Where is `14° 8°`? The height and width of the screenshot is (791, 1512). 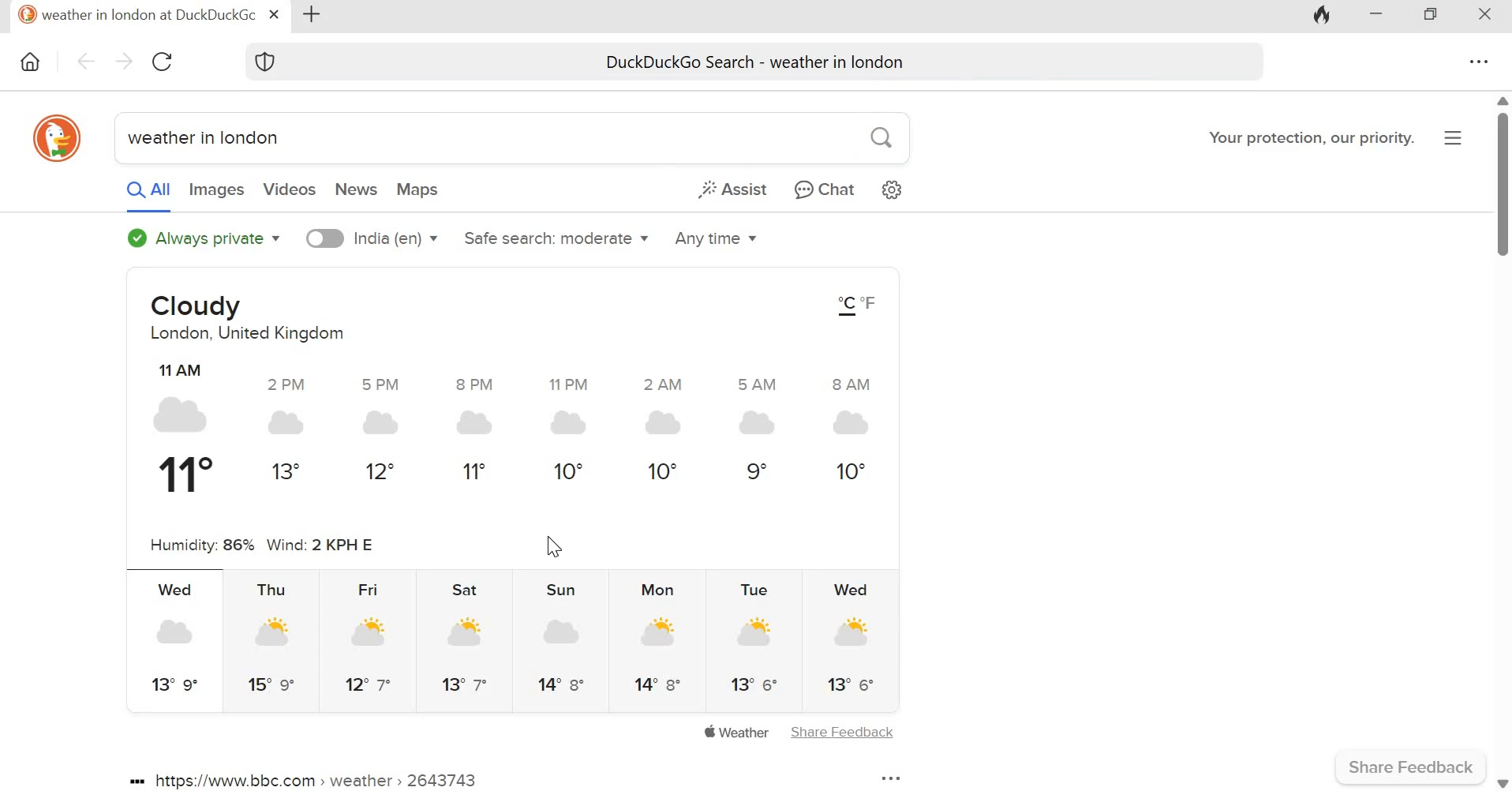
14° 8° is located at coordinates (561, 684).